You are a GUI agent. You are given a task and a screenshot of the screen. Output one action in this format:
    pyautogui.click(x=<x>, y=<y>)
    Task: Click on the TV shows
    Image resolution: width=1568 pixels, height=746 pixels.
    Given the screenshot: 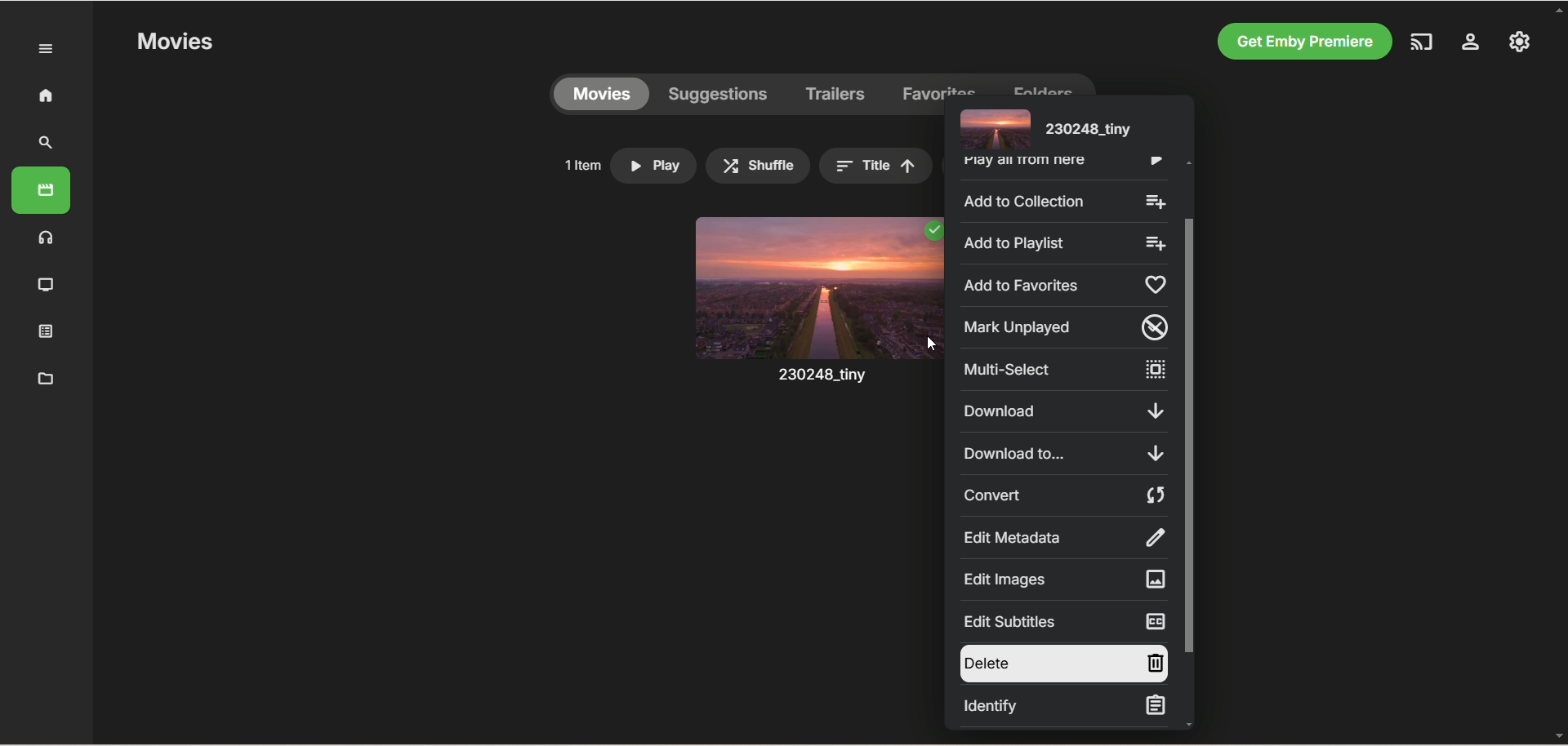 What is the action you would take?
    pyautogui.click(x=47, y=286)
    